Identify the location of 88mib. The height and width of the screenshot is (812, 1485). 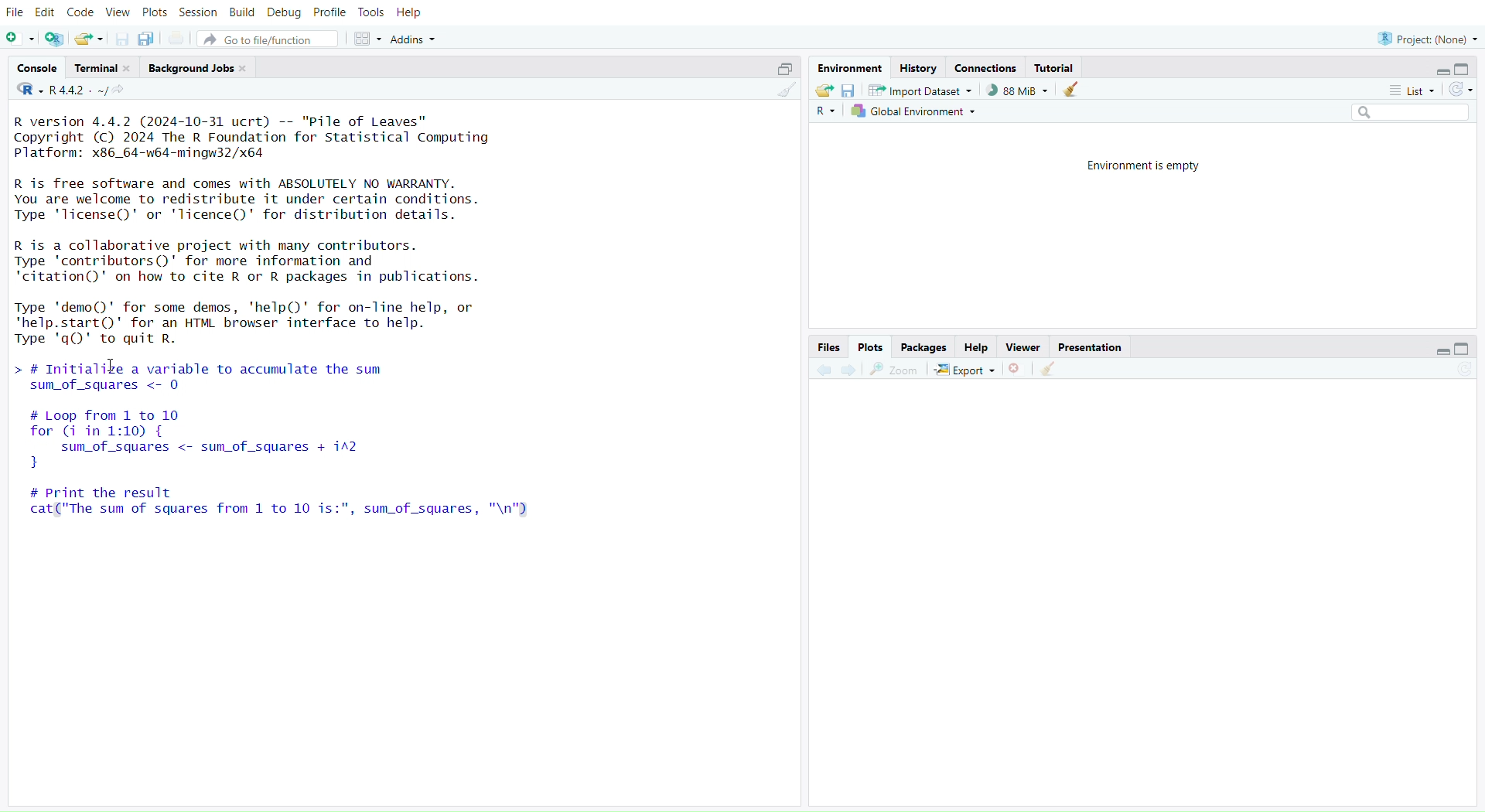
(1019, 90).